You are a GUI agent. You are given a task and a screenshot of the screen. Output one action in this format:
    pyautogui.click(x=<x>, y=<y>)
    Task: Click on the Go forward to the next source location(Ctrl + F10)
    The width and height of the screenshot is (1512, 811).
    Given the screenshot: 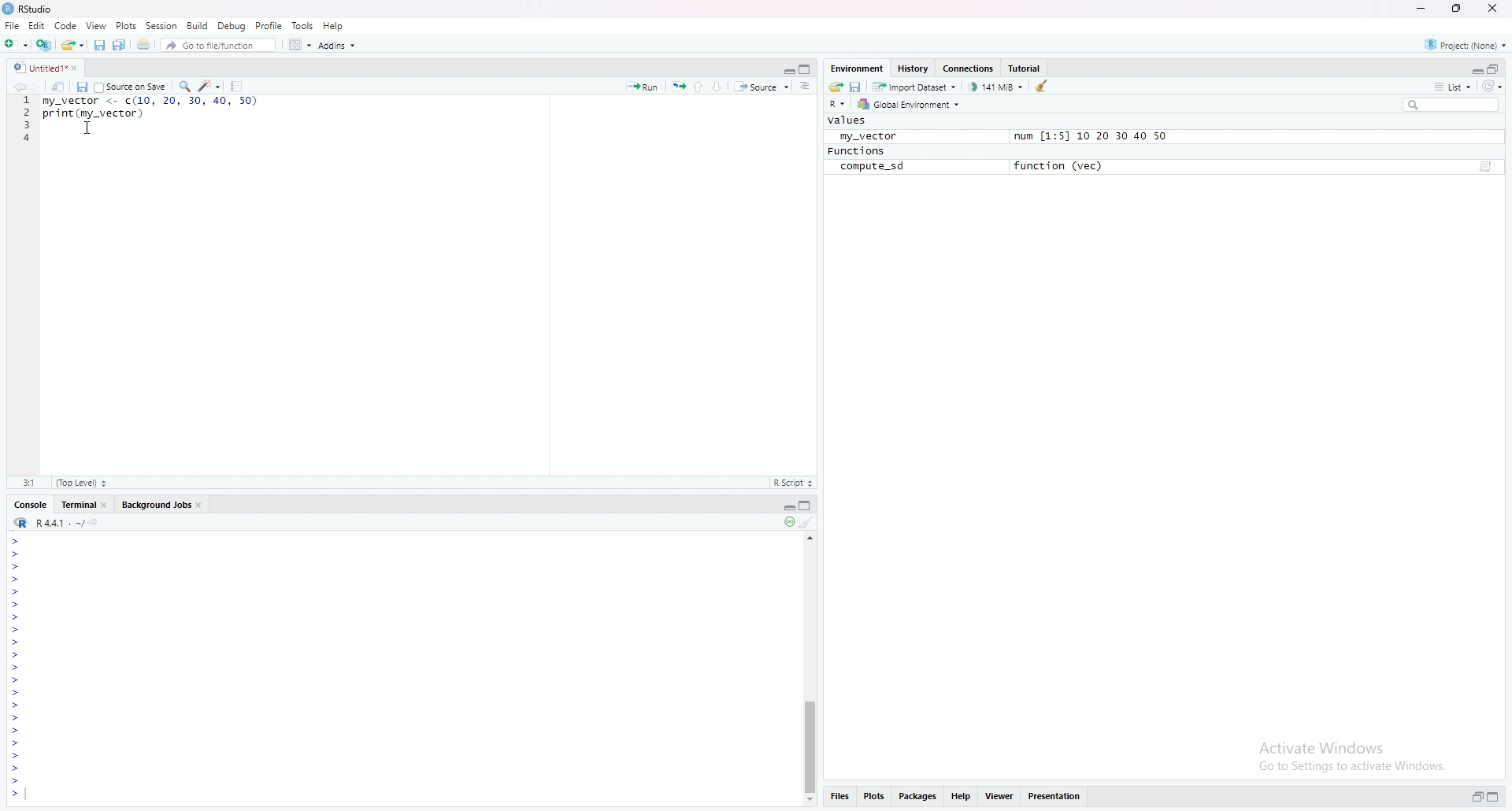 What is the action you would take?
    pyautogui.click(x=43, y=86)
    